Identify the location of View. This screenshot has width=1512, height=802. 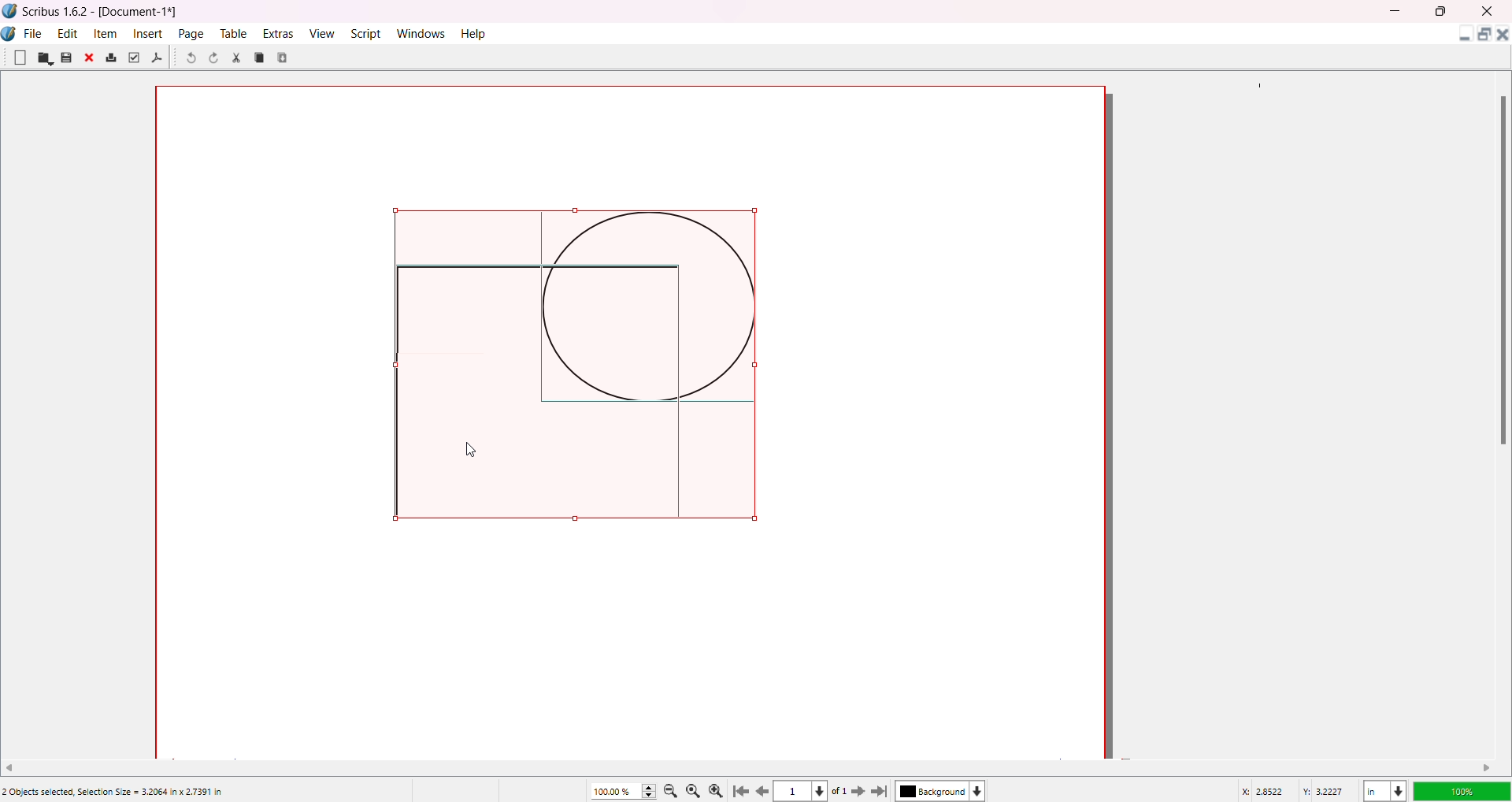
(321, 32).